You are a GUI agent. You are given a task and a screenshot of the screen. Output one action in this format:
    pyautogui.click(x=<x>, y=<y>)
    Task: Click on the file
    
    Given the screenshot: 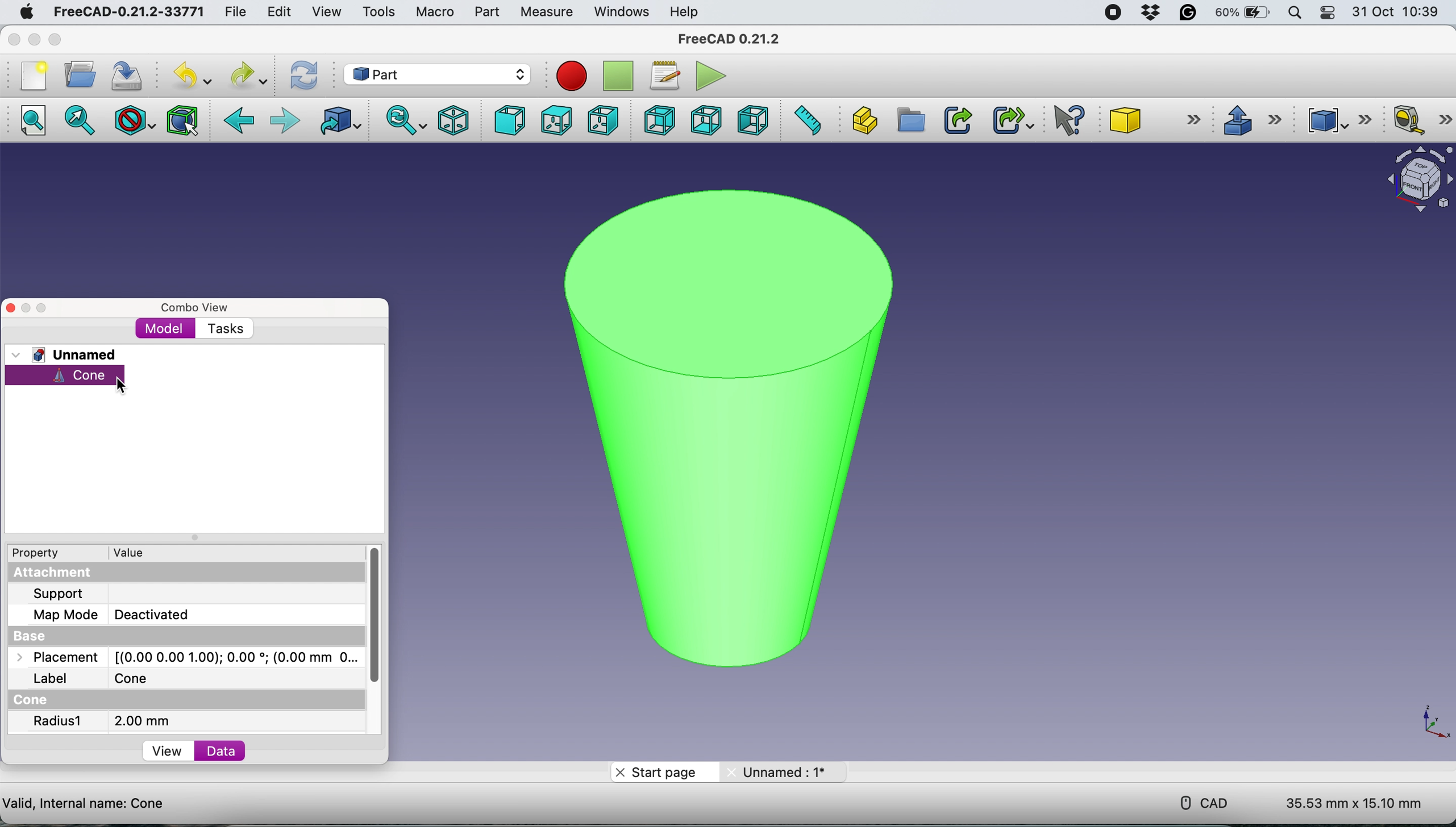 What is the action you would take?
    pyautogui.click(x=231, y=11)
    